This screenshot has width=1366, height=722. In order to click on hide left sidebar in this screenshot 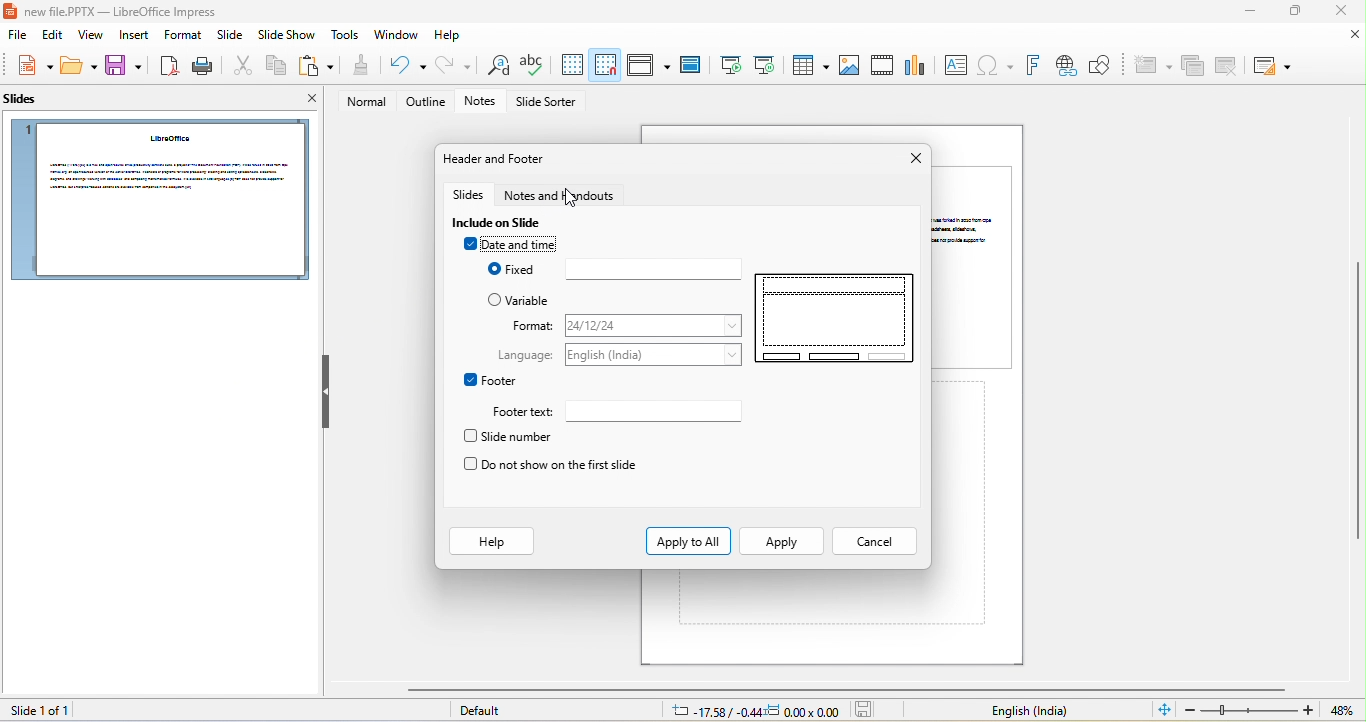, I will do `click(326, 391)`.